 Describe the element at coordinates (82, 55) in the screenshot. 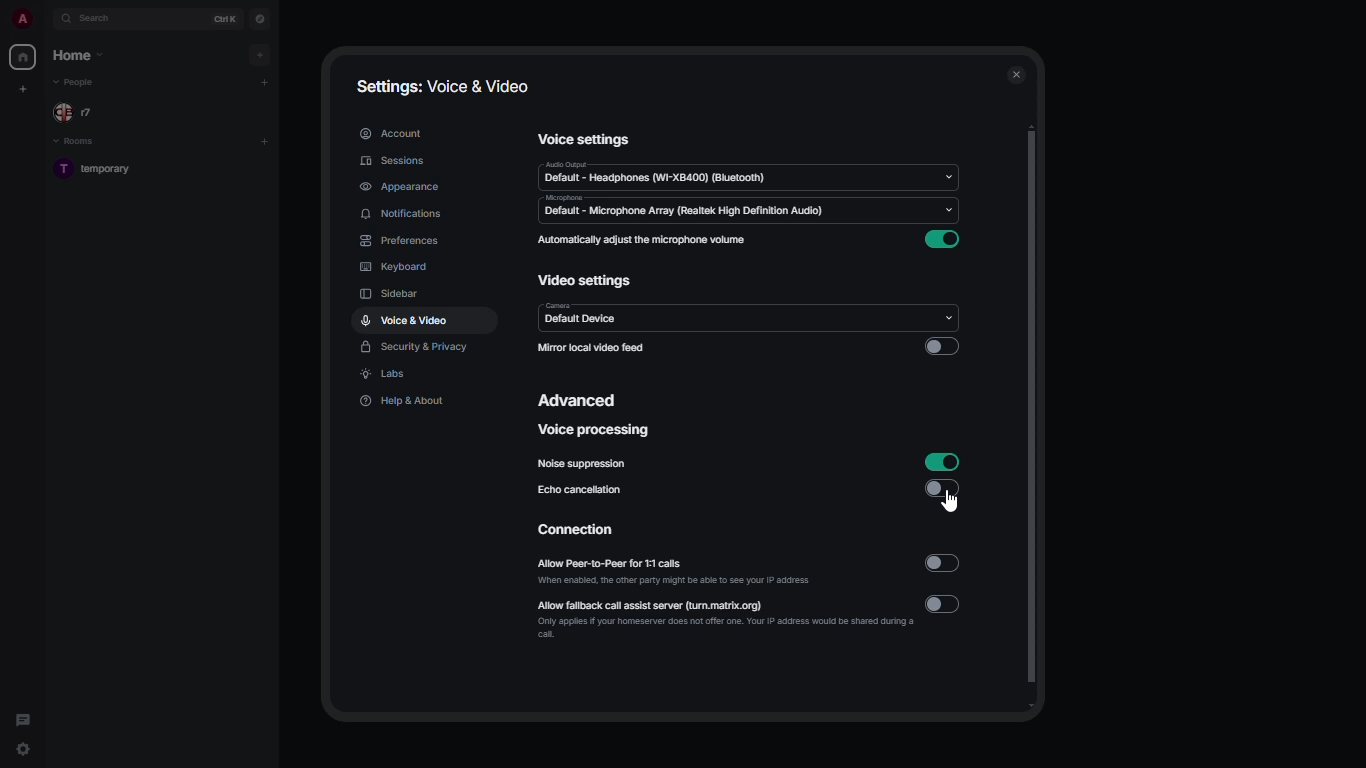

I see `home` at that location.